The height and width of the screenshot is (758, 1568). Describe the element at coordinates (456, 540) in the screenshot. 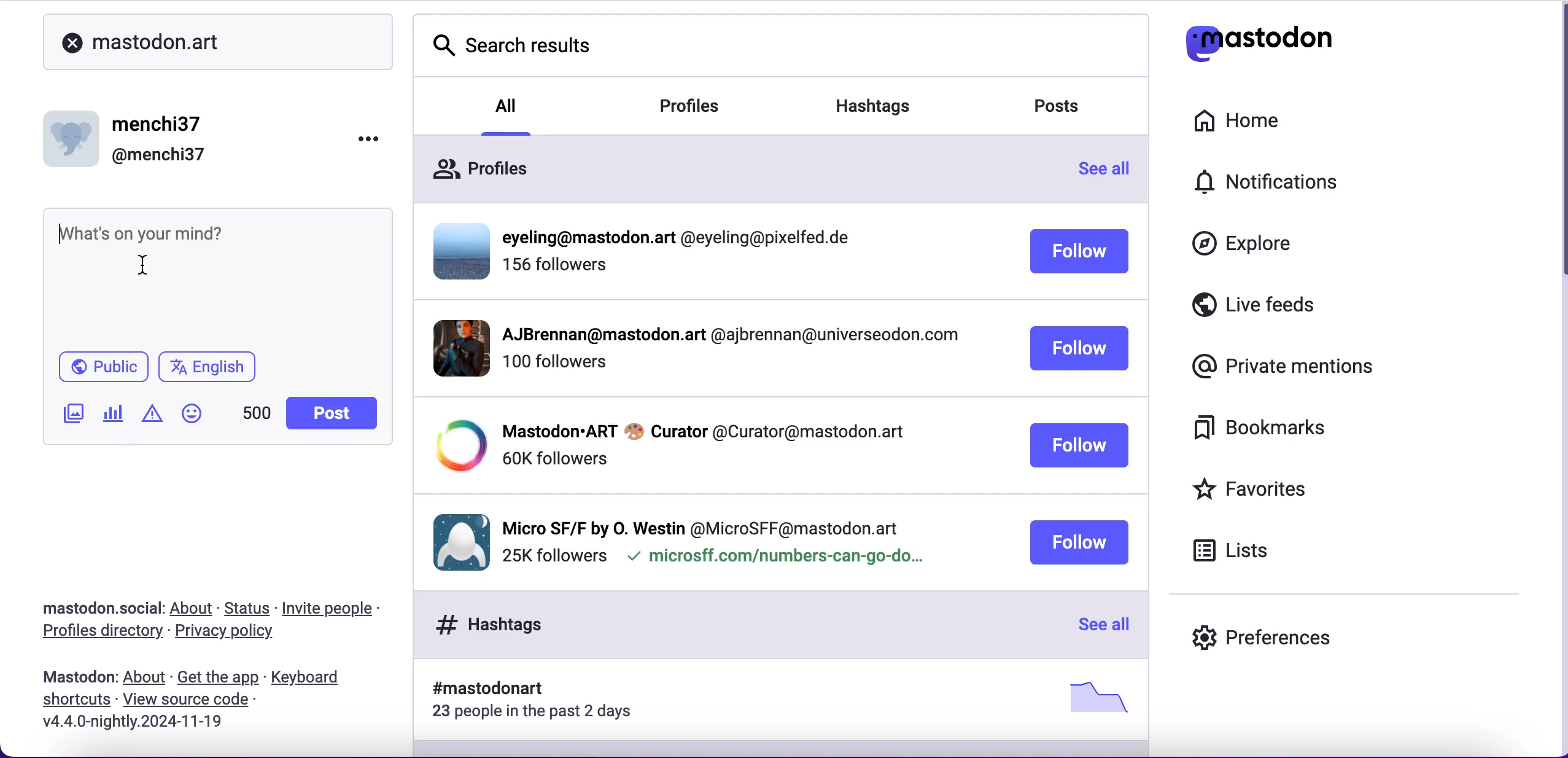

I see `display picture` at that location.